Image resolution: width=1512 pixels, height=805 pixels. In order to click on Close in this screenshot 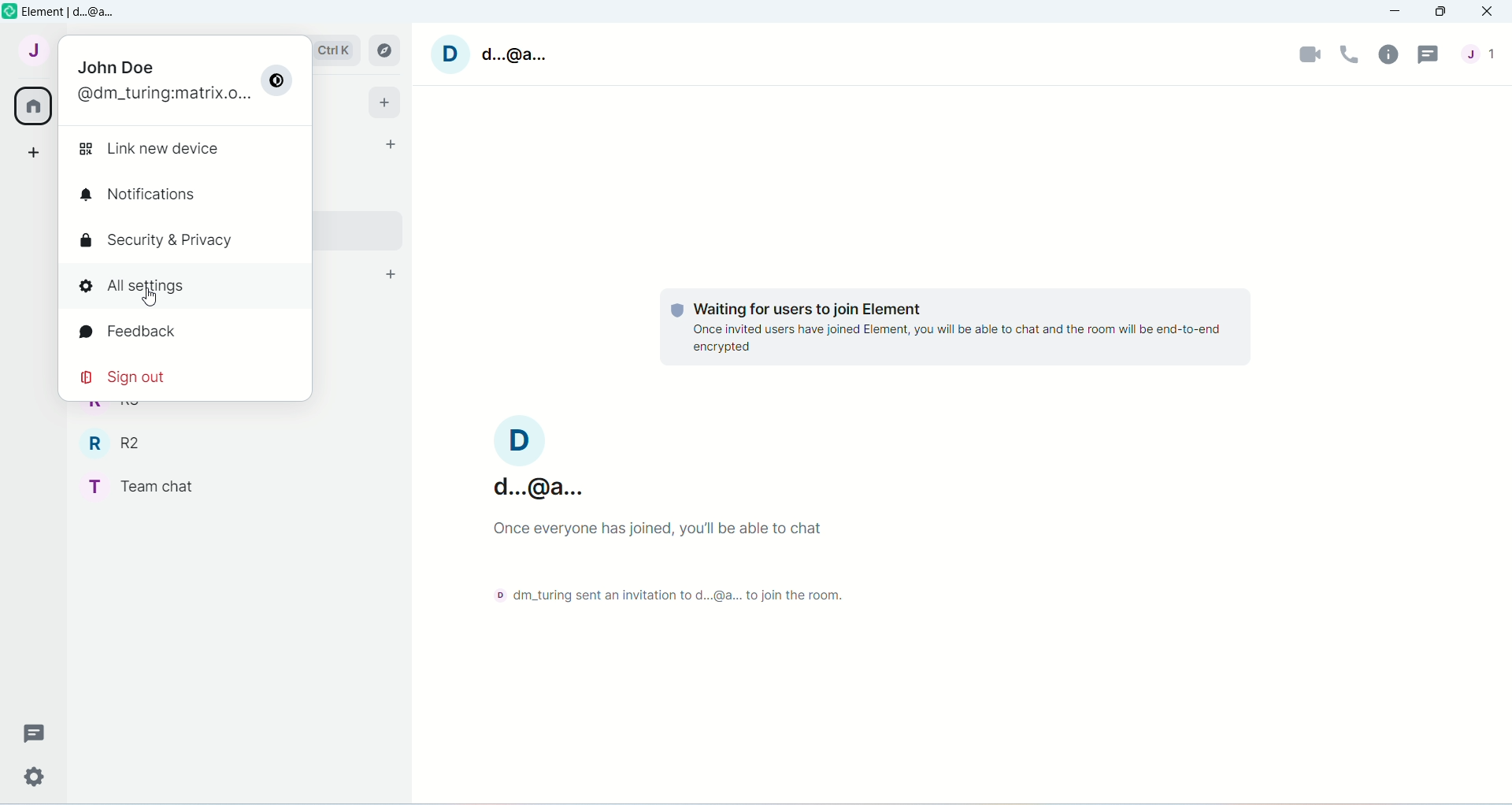, I will do `click(1490, 10)`.